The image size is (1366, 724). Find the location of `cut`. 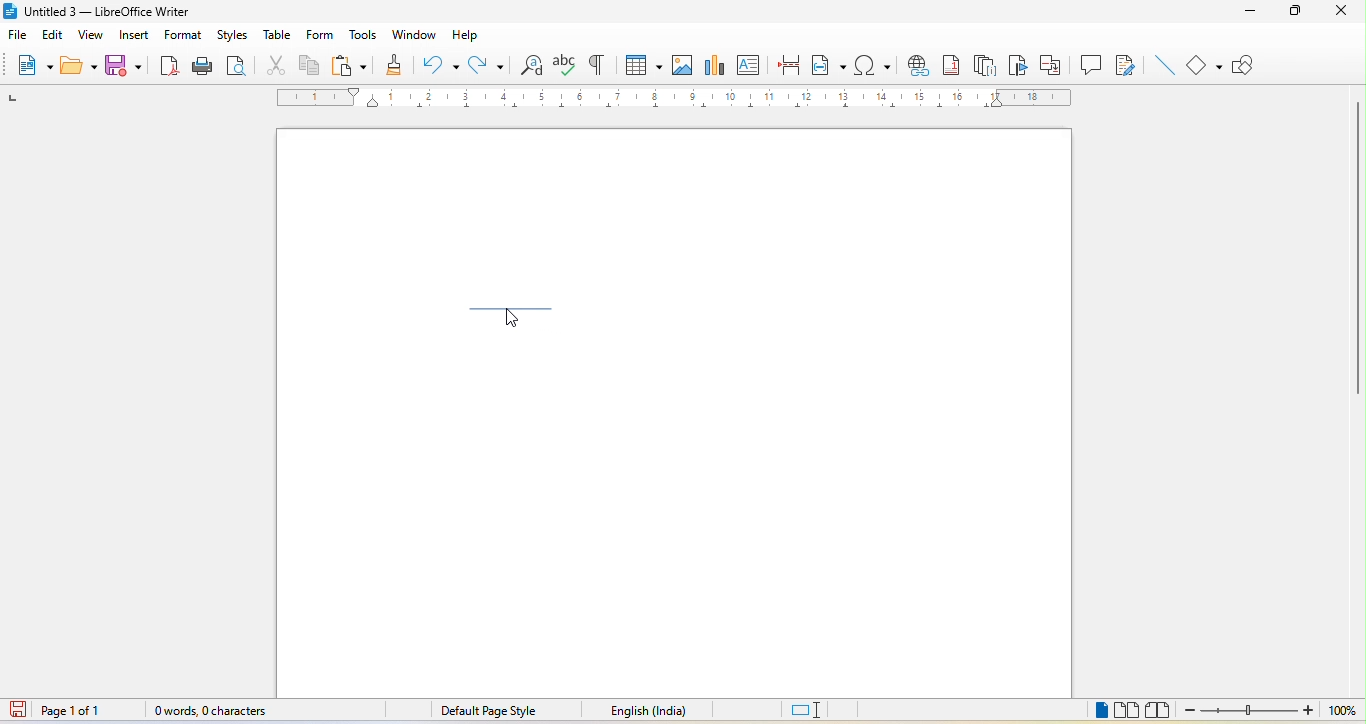

cut is located at coordinates (271, 63).